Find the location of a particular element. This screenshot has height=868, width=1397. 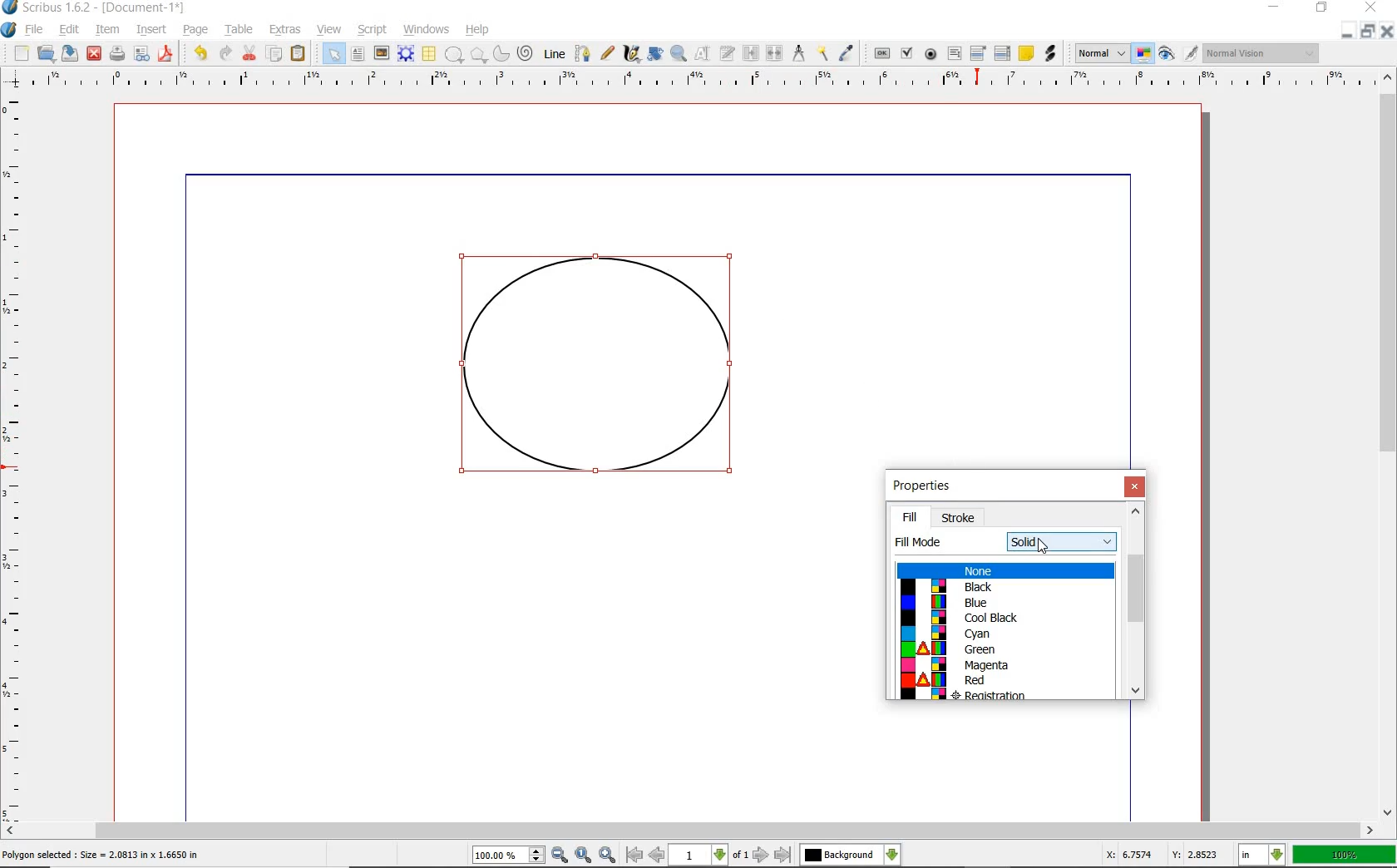

ZOOM IN OR OUT is located at coordinates (678, 54).